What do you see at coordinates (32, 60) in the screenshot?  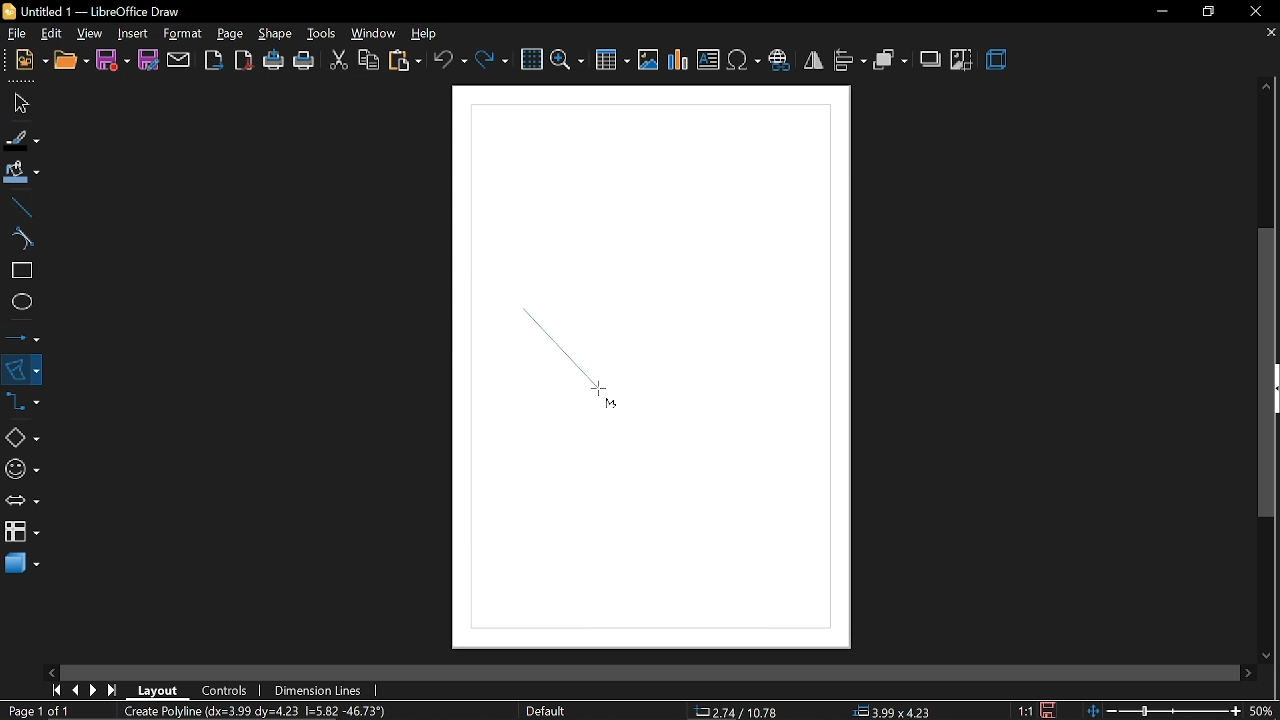 I see `new` at bounding box center [32, 60].